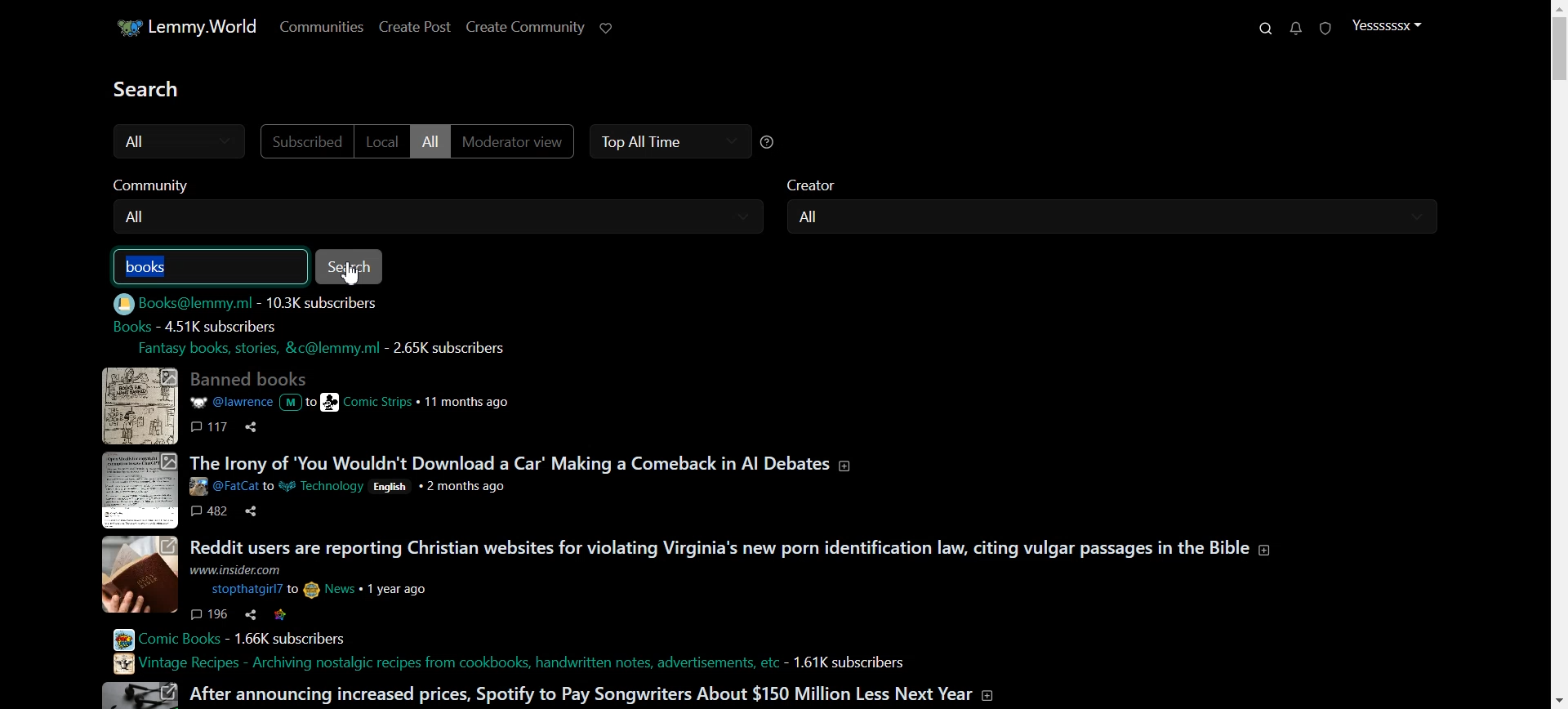 The width and height of the screenshot is (1568, 709). Describe the element at coordinates (350, 273) in the screenshot. I see `Cursor` at that location.